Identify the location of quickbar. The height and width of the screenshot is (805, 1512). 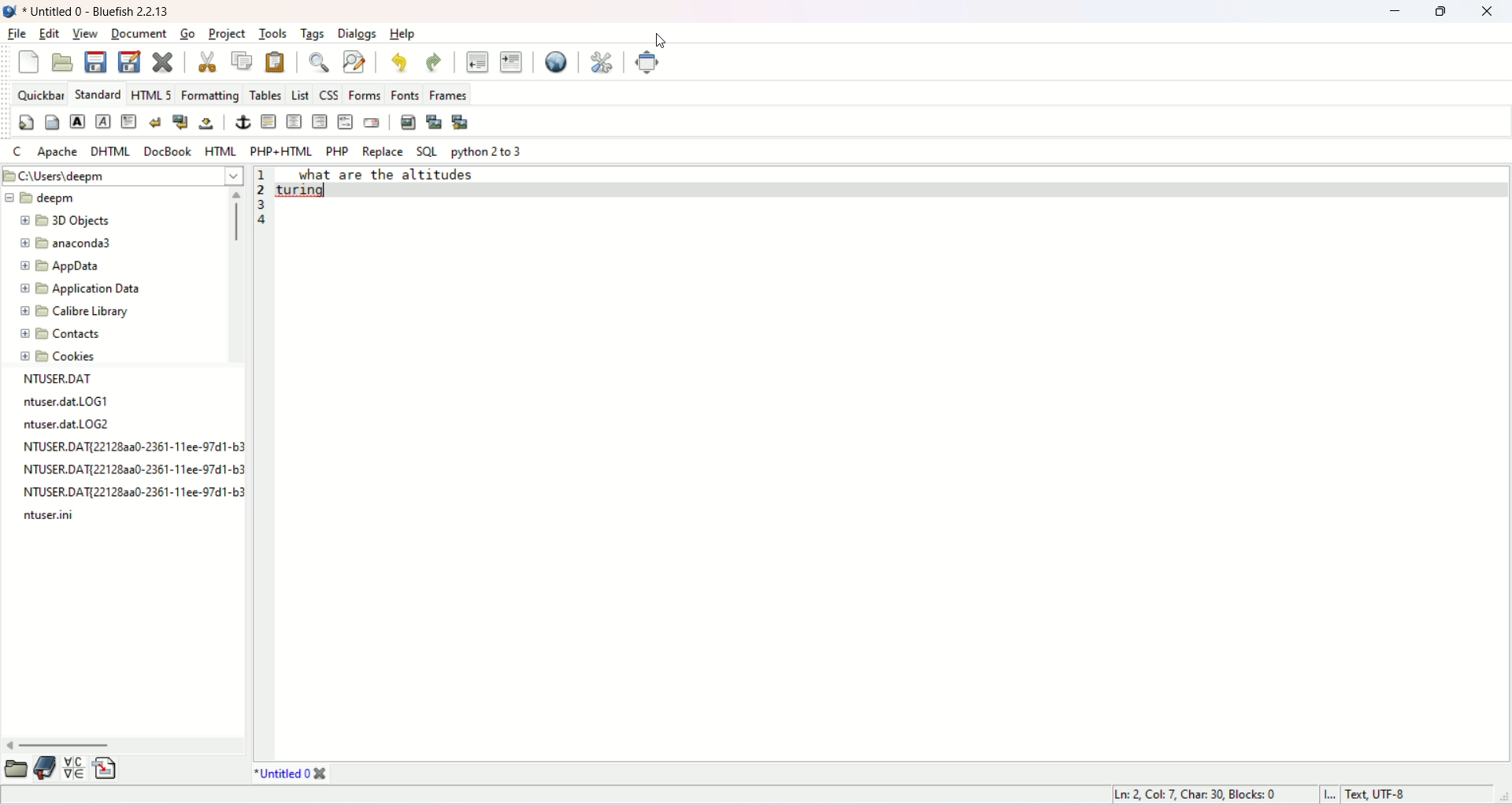
(39, 93).